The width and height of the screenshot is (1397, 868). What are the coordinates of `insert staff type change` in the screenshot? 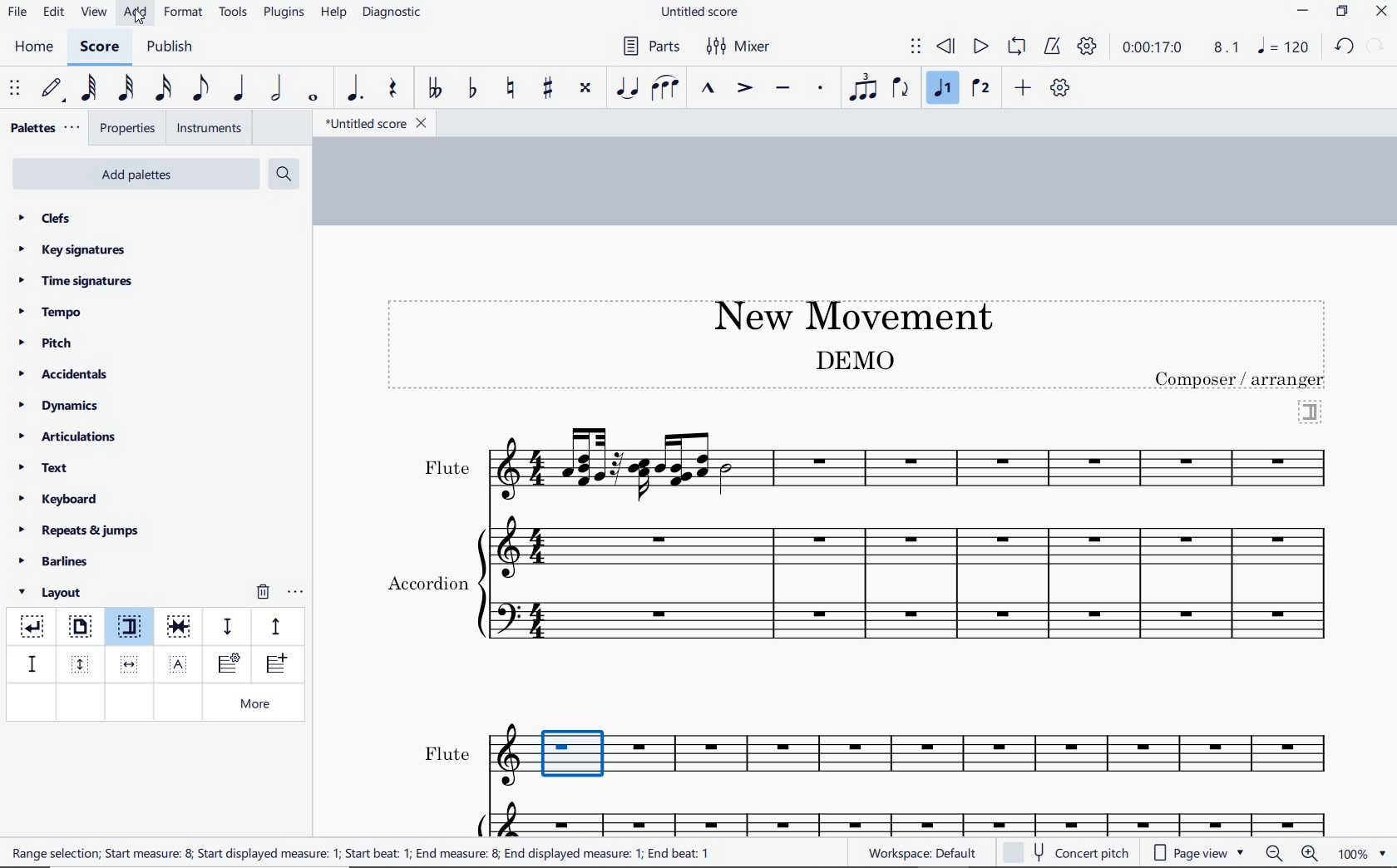 It's located at (229, 664).